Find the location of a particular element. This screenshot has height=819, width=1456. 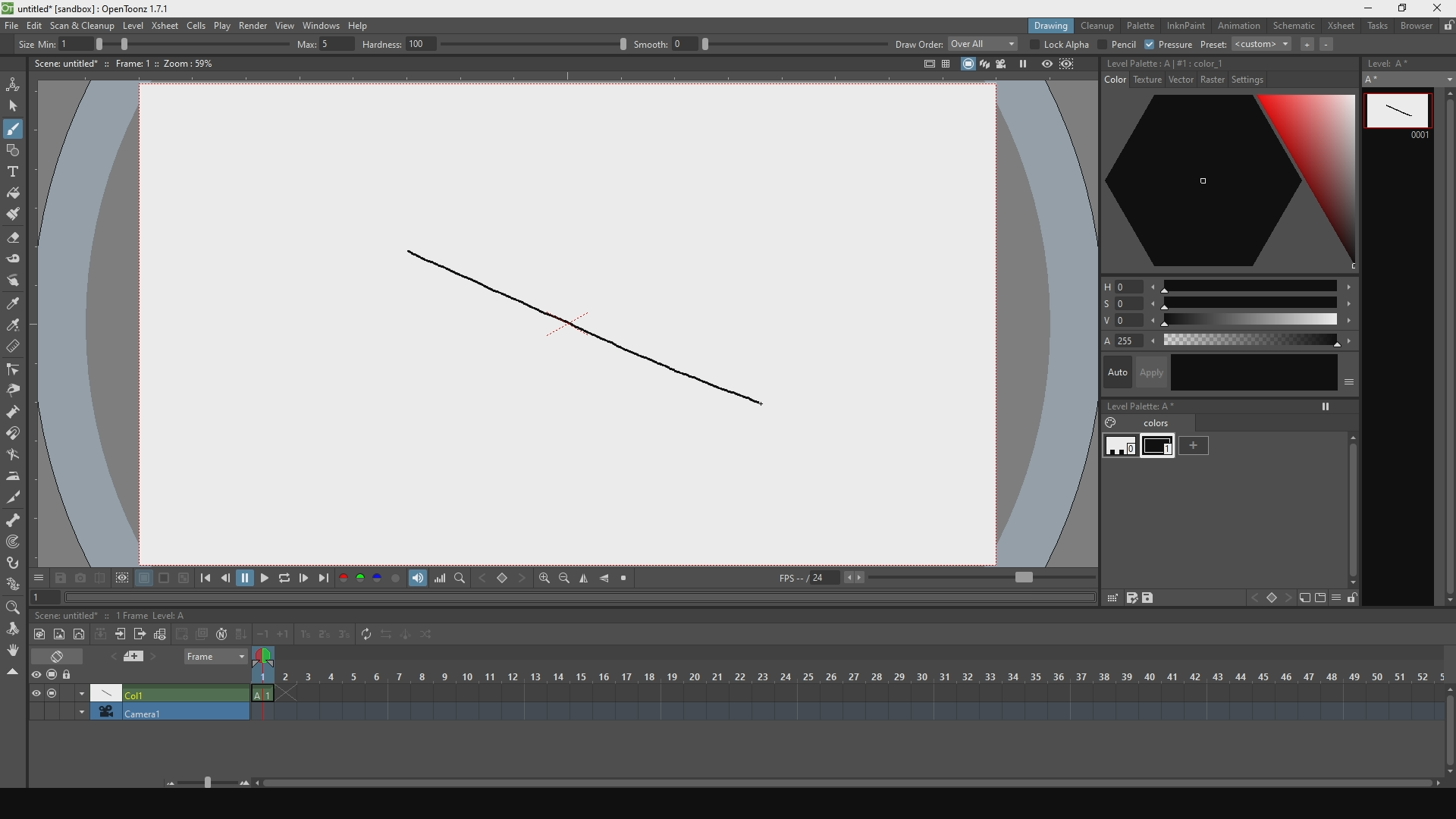

1 frame level: A is located at coordinates (154, 614).